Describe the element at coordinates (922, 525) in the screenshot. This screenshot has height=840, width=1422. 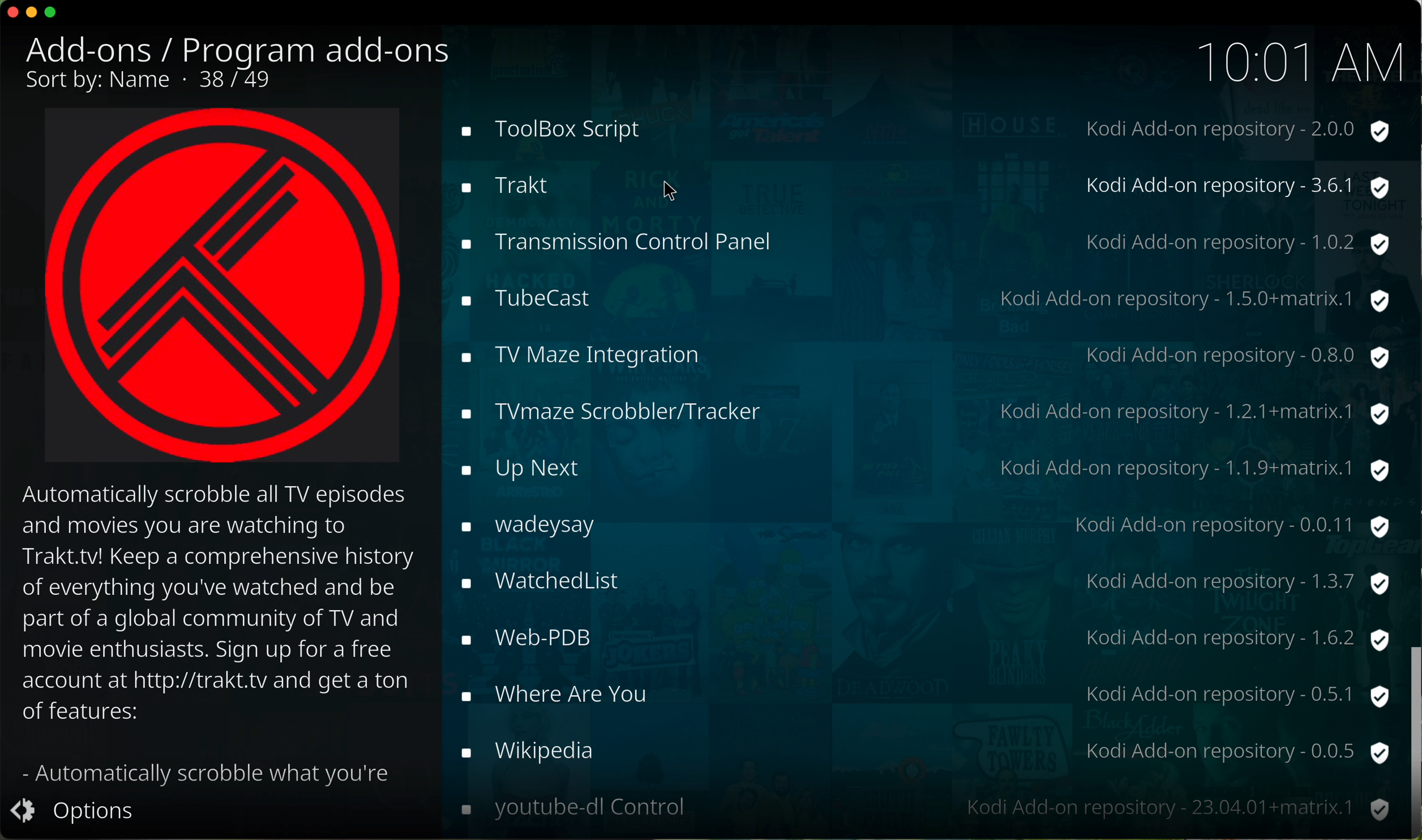
I see `wadeysay` at that location.